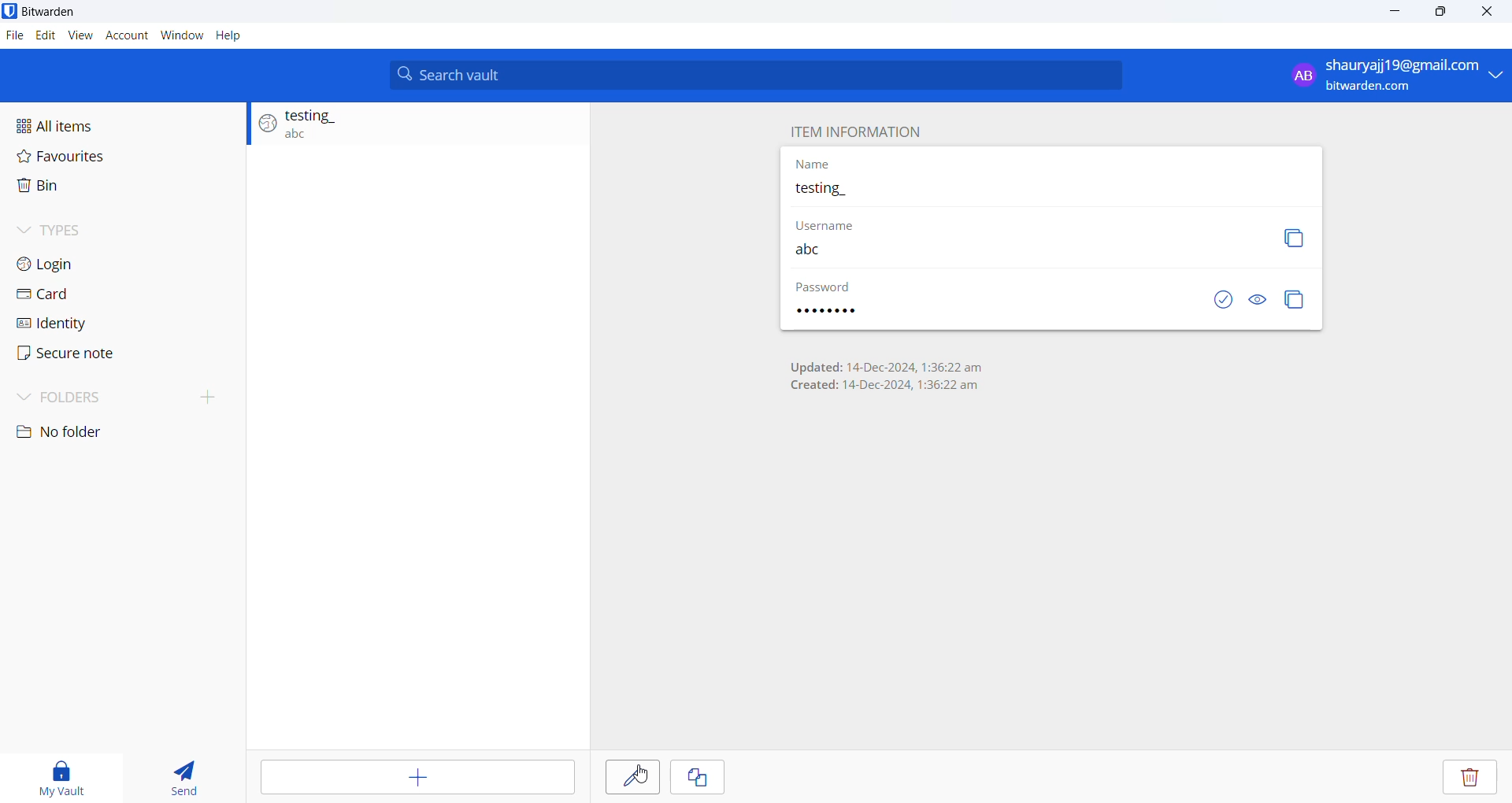  Describe the element at coordinates (1295, 238) in the screenshot. I see `Copy button` at that location.